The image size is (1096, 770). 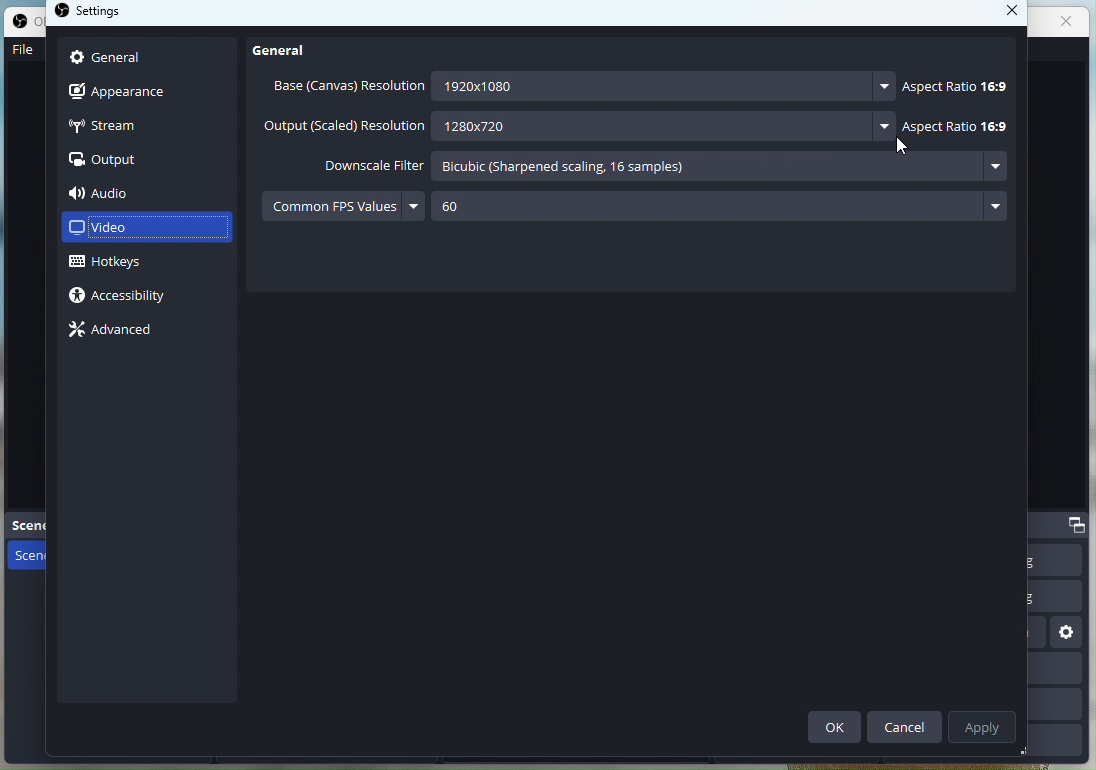 I want to click on Hotkeys, so click(x=124, y=264).